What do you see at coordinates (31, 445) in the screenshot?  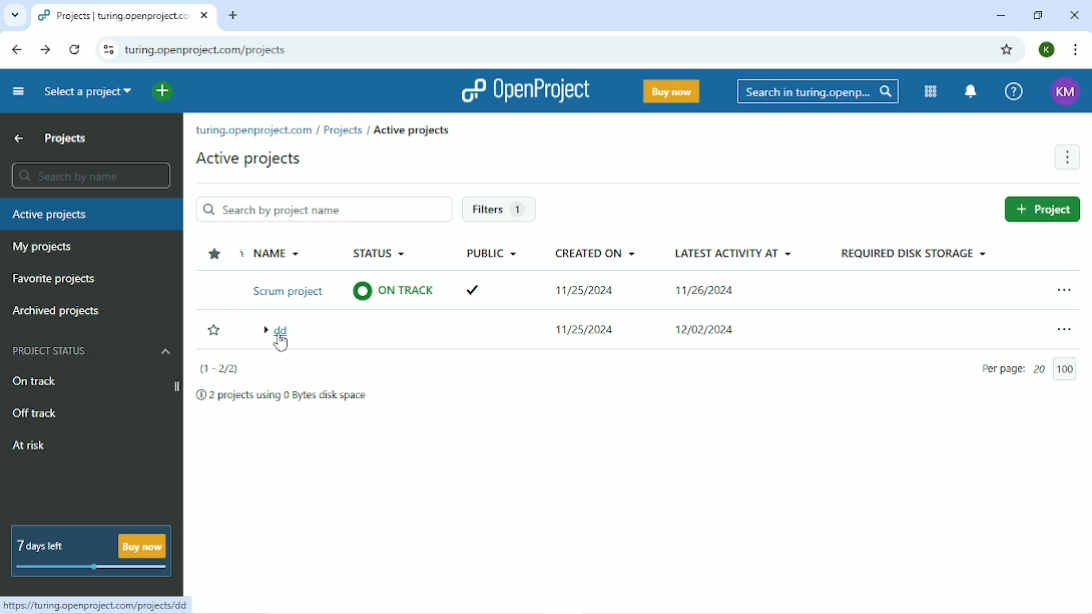 I see `At risk` at bounding box center [31, 445].